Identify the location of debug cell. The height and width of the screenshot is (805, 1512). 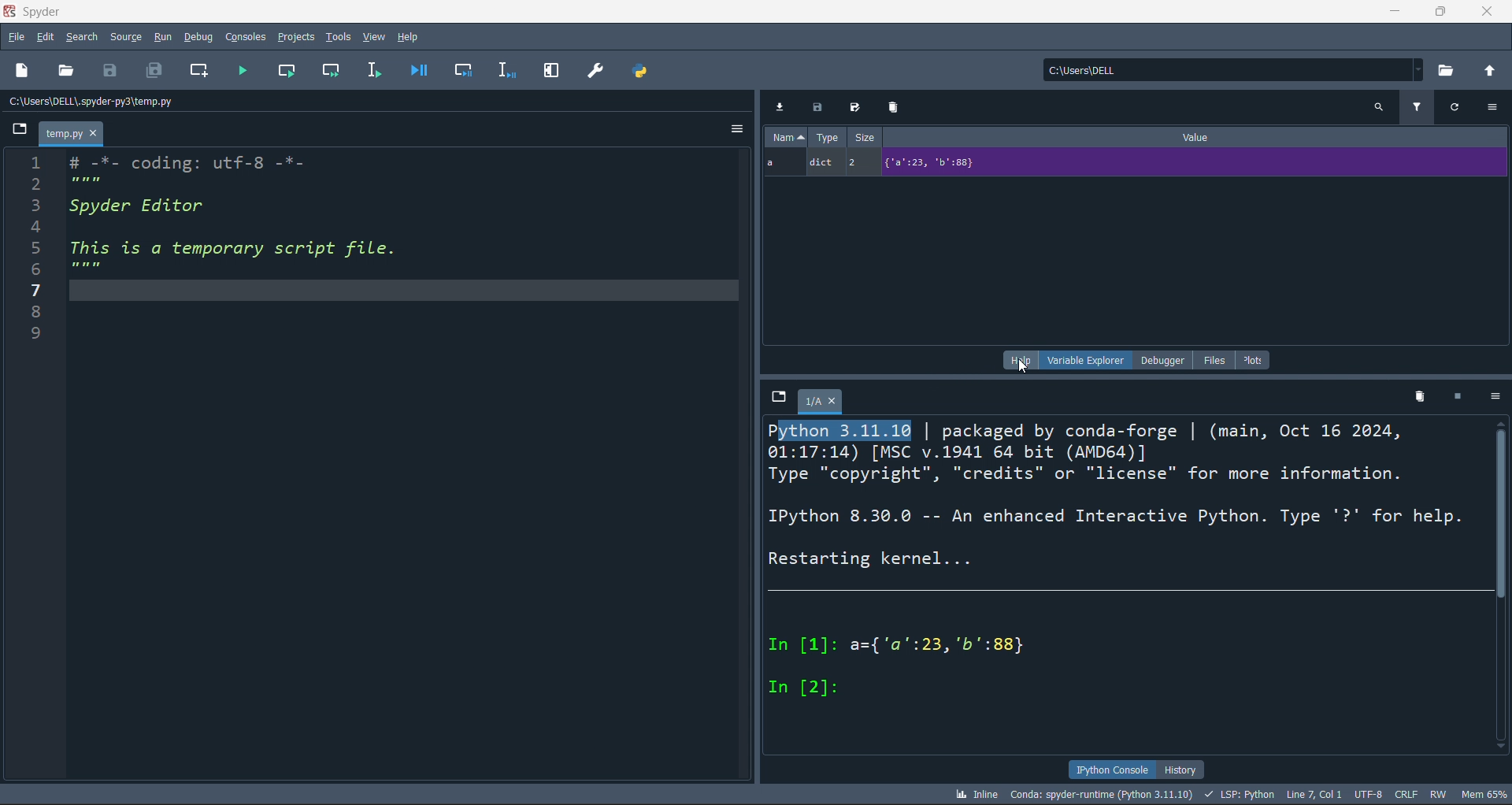
(465, 70).